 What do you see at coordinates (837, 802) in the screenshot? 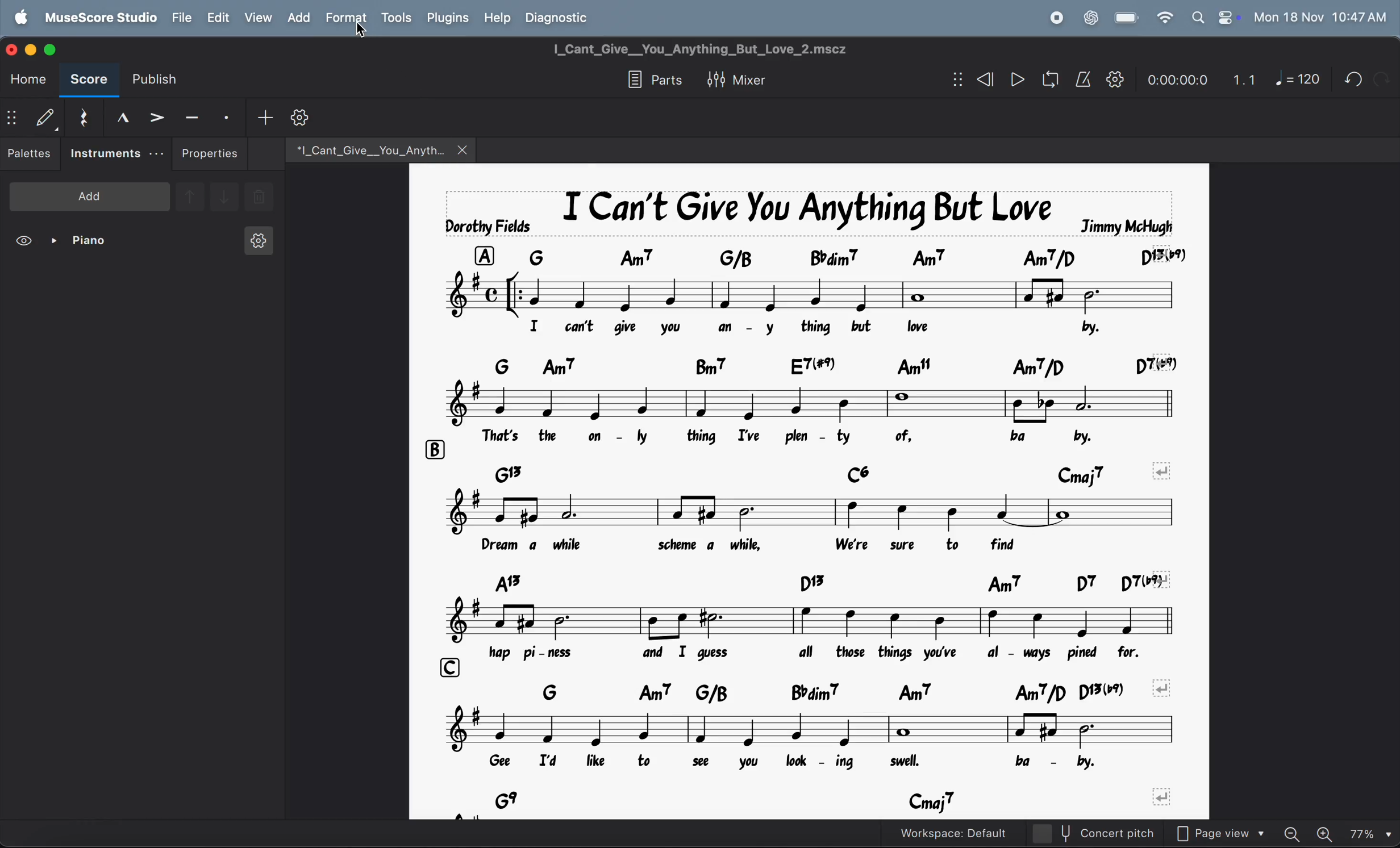
I see `chord symbols` at bounding box center [837, 802].